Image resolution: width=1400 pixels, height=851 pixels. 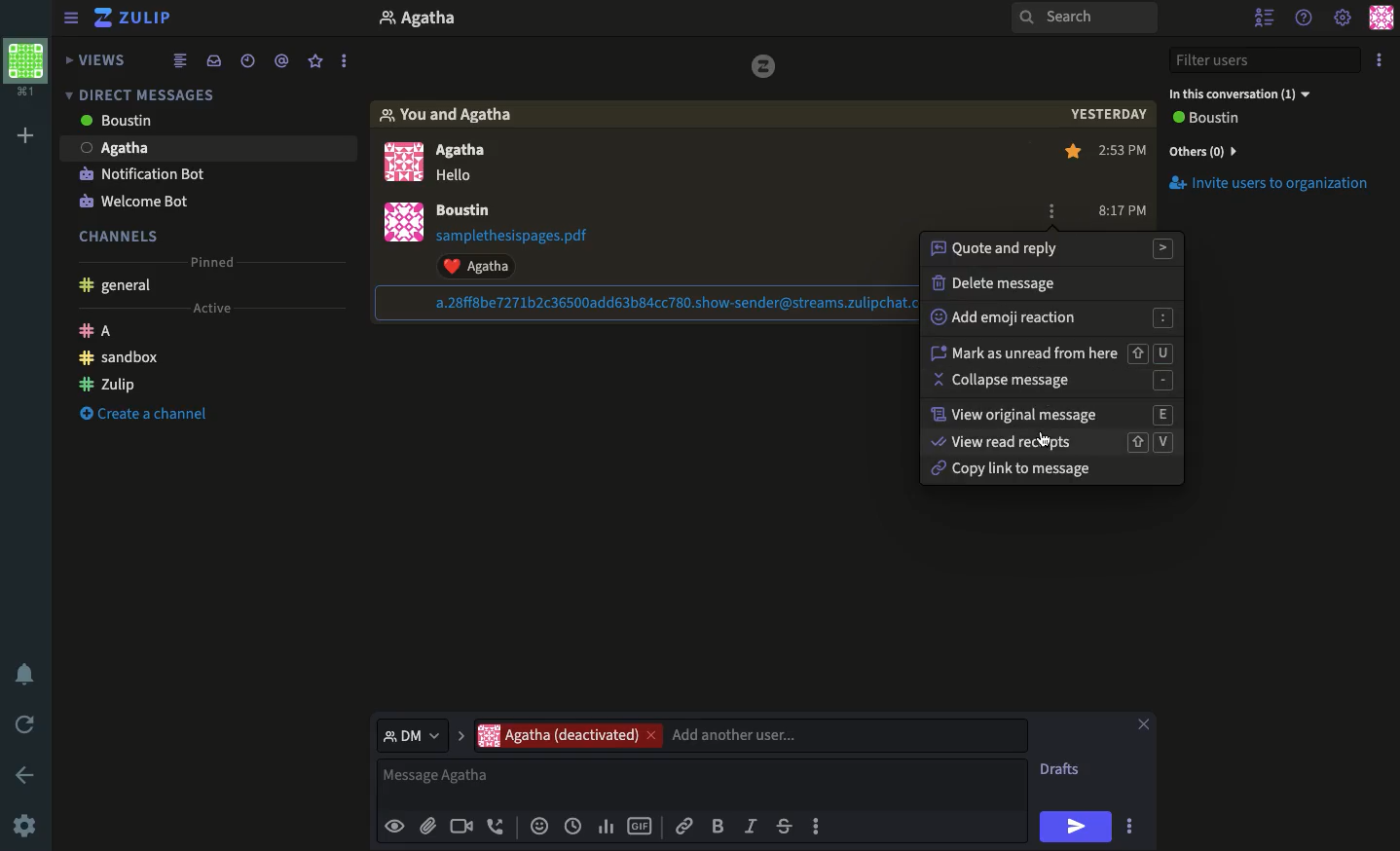 What do you see at coordinates (203, 91) in the screenshot?
I see `Inbox` at bounding box center [203, 91].